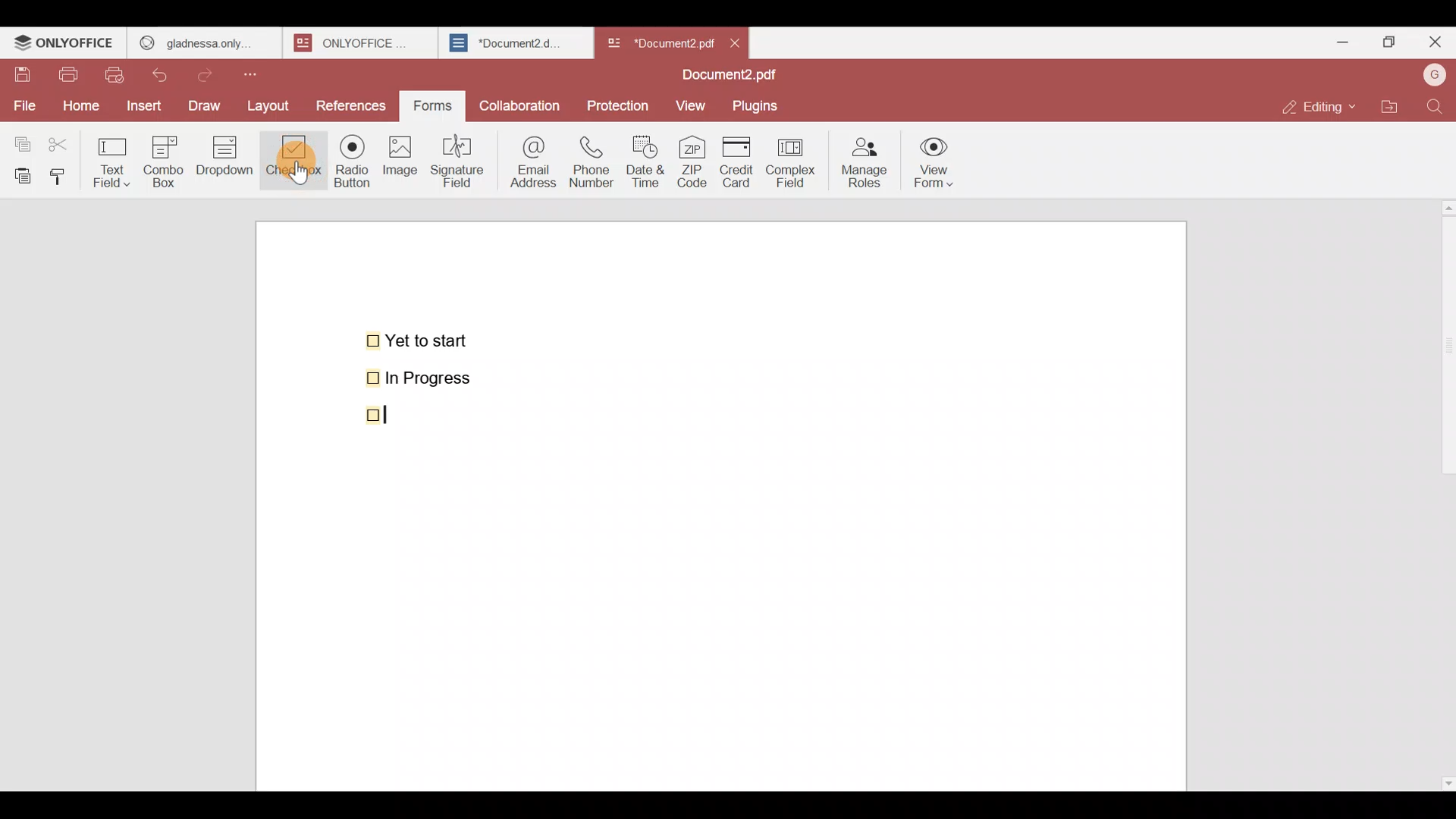 The width and height of the screenshot is (1456, 819). What do you see at coordinates (659, 39) in the screenshot?
I see `Document name` at bounding box center [659, 39].